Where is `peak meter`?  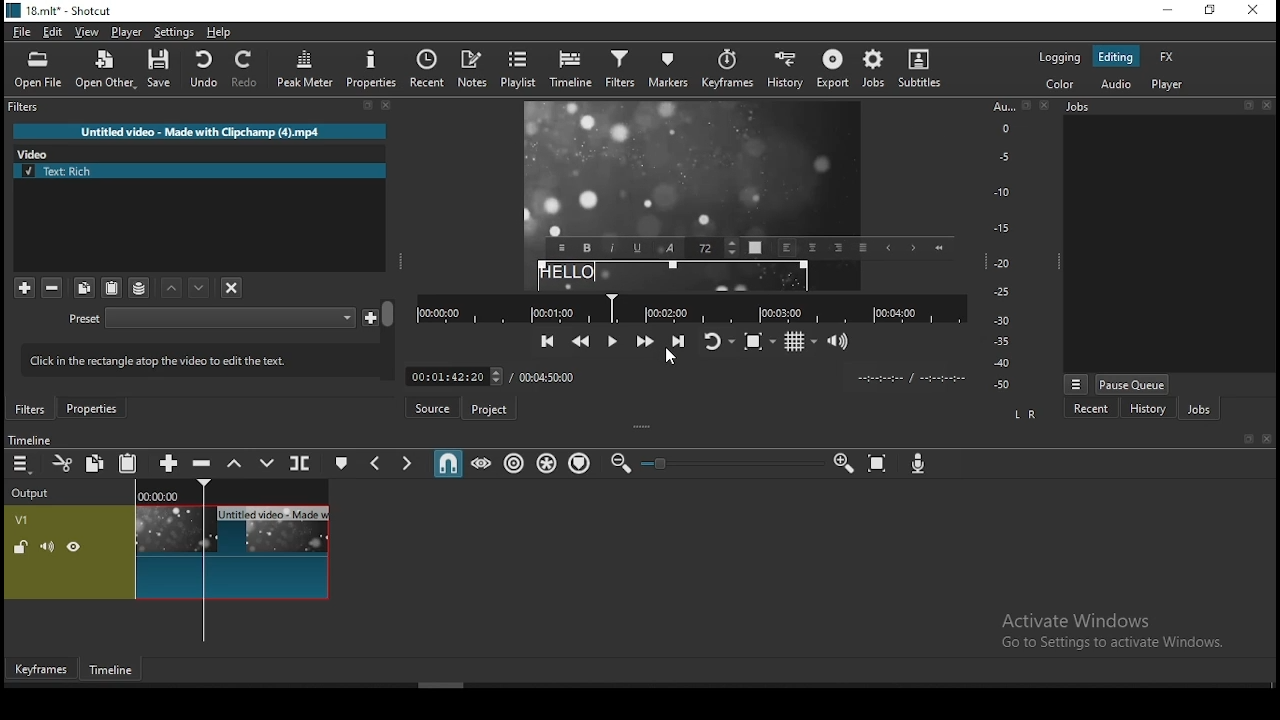 peak meter is located at coordinates (305, 68).